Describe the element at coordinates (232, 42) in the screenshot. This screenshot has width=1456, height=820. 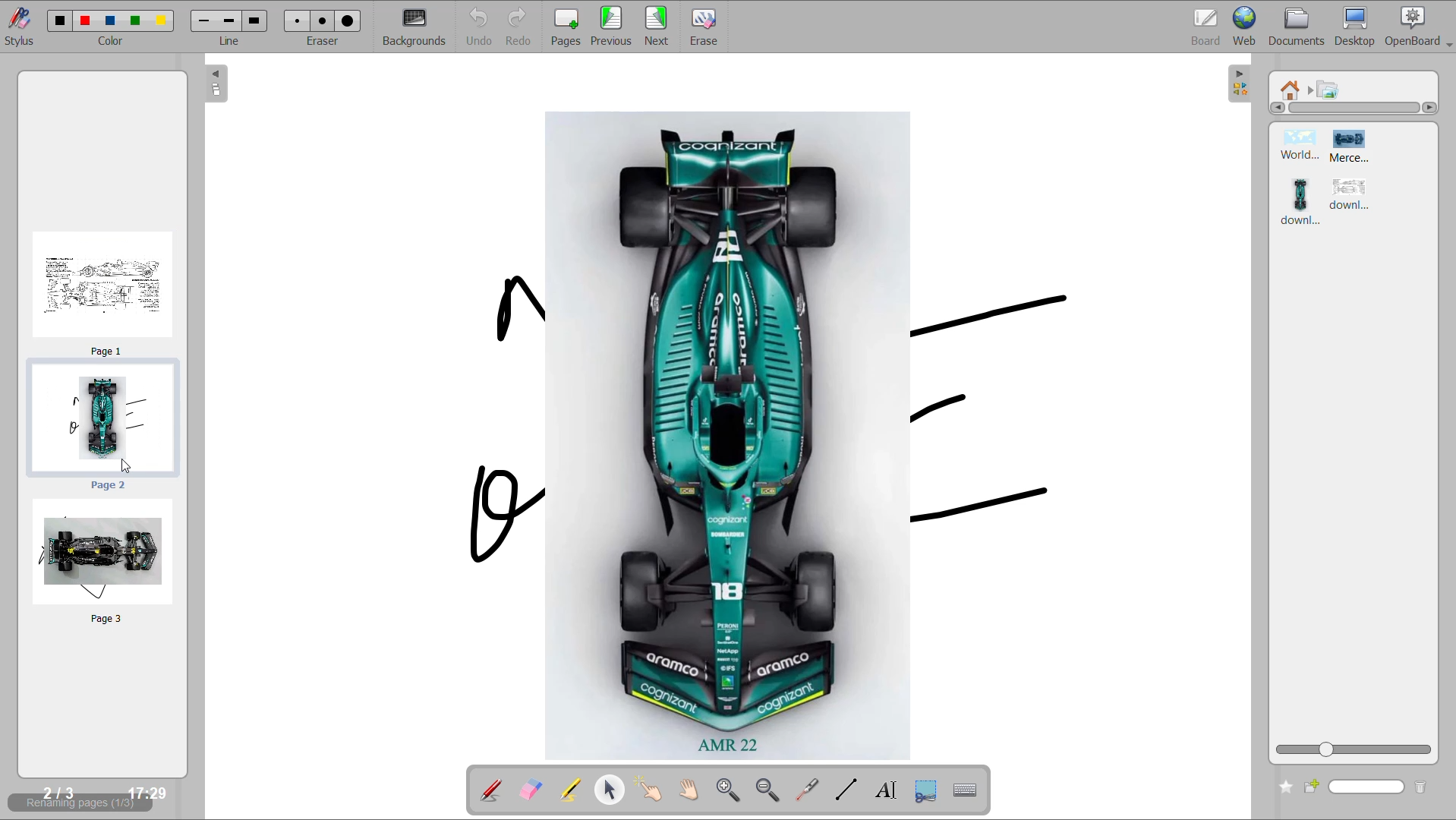
I see `line` at that location.